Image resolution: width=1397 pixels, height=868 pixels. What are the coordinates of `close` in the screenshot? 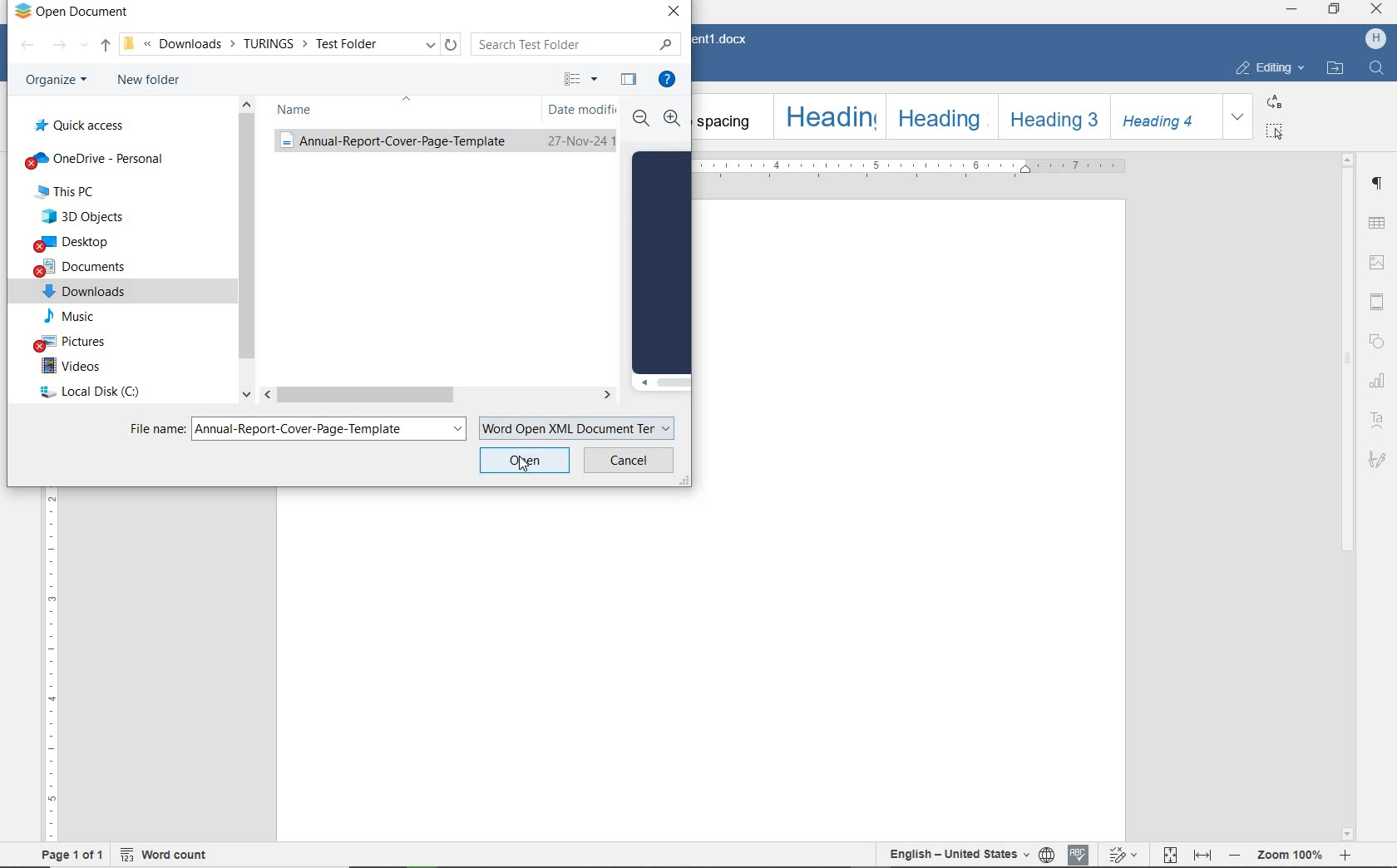 It's located at (1376, 11).